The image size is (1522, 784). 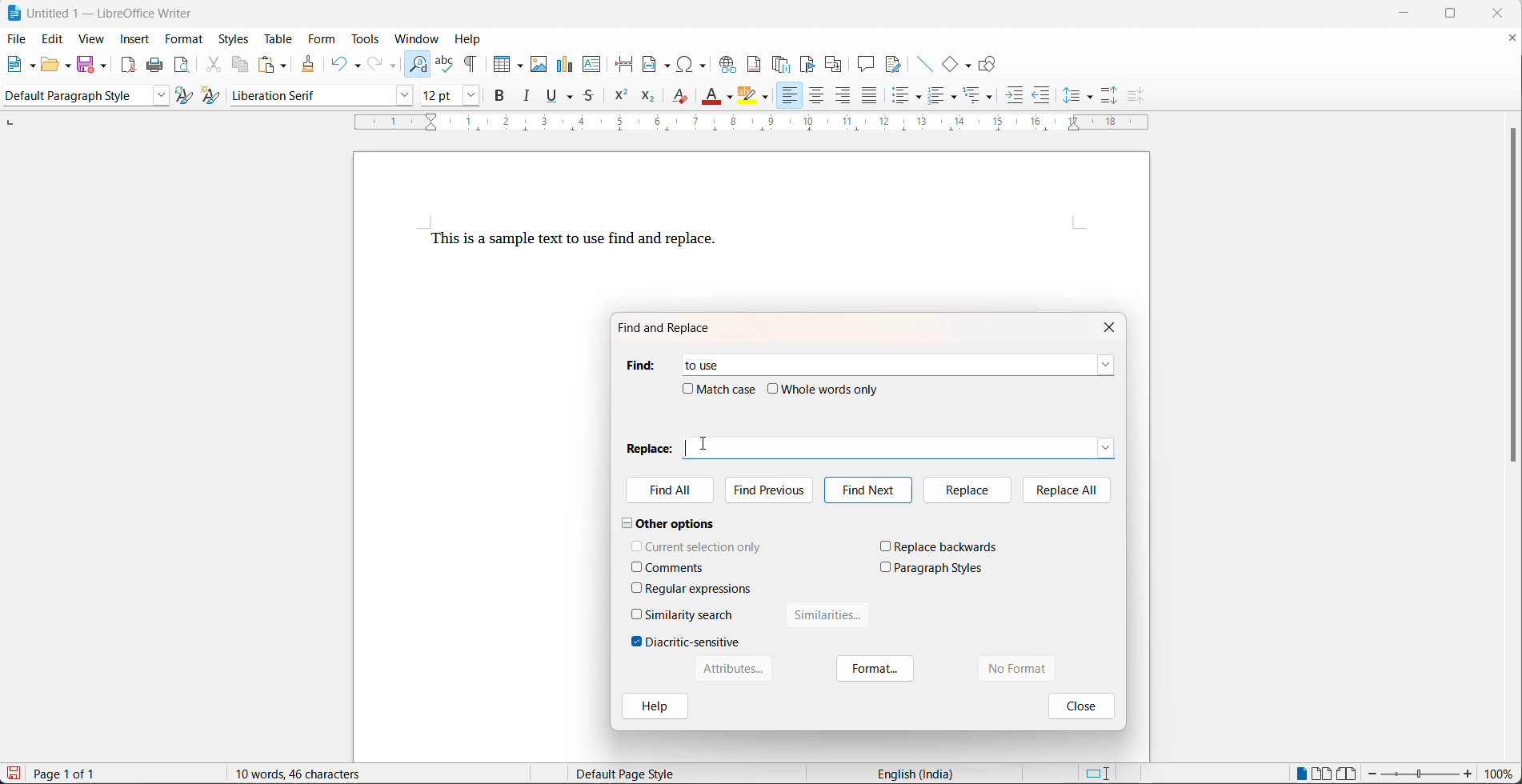 I want to click on toggle unordered list, so click(x=904, y=98).